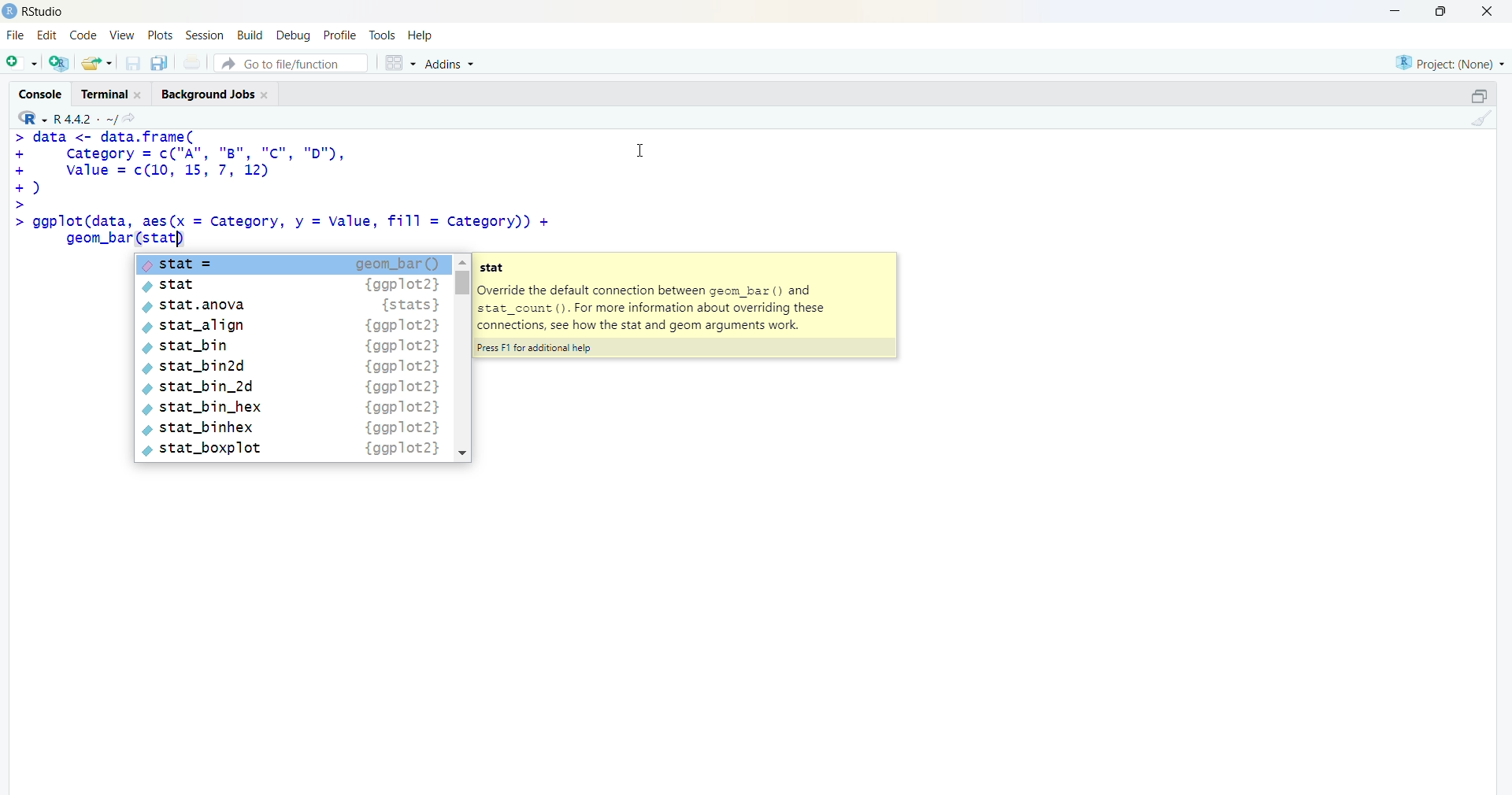 The width and height of the screenshot is (1512, 795). I want to click on maximize, so click(1479, 96).